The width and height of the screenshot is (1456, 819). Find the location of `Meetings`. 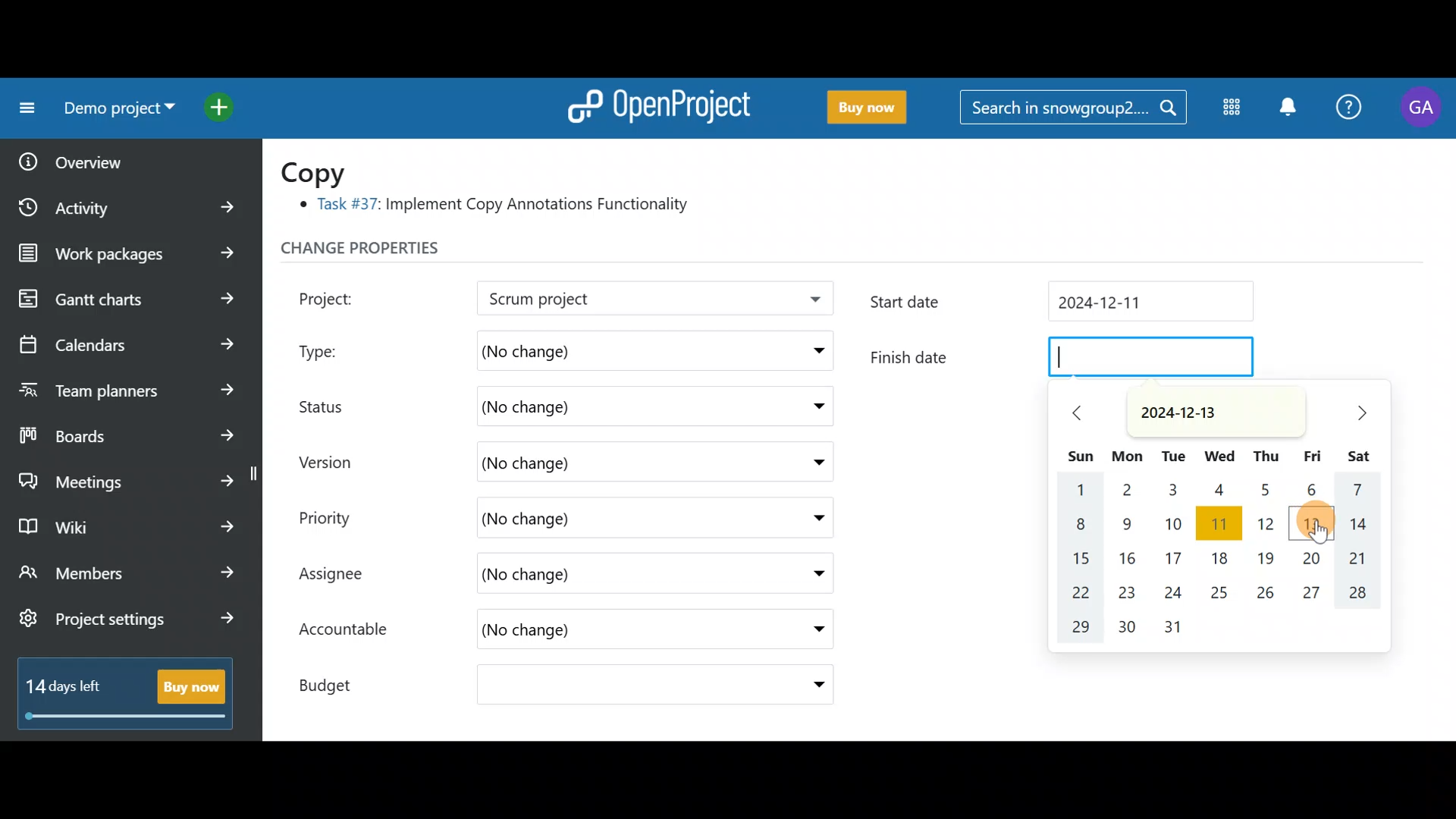

Meetings is located at coordinates (127, 478).